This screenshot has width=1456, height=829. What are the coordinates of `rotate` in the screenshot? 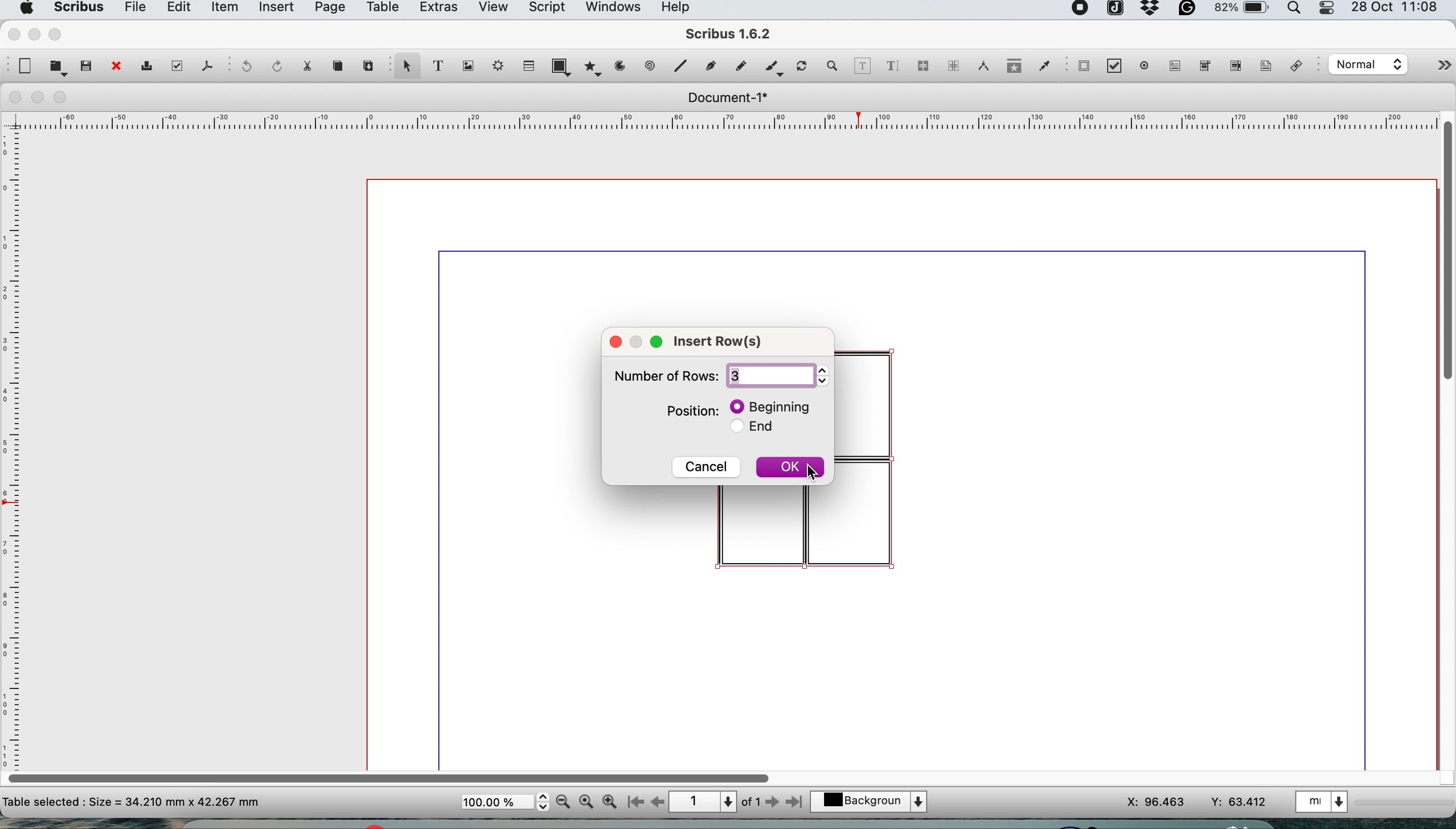 It's located at (803, 67).